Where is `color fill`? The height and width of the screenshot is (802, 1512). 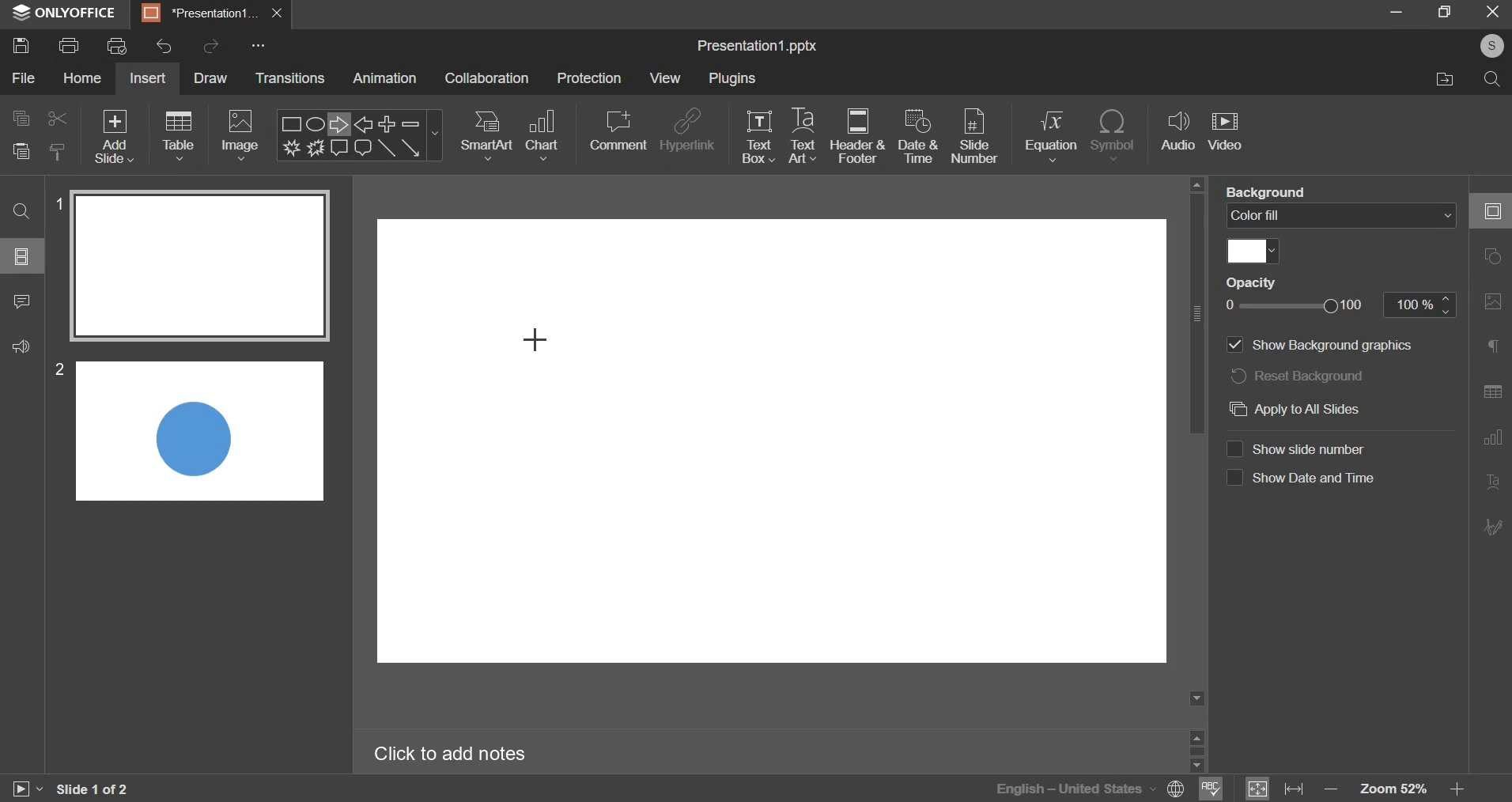 color fill is located at coordinates (1341, 216).